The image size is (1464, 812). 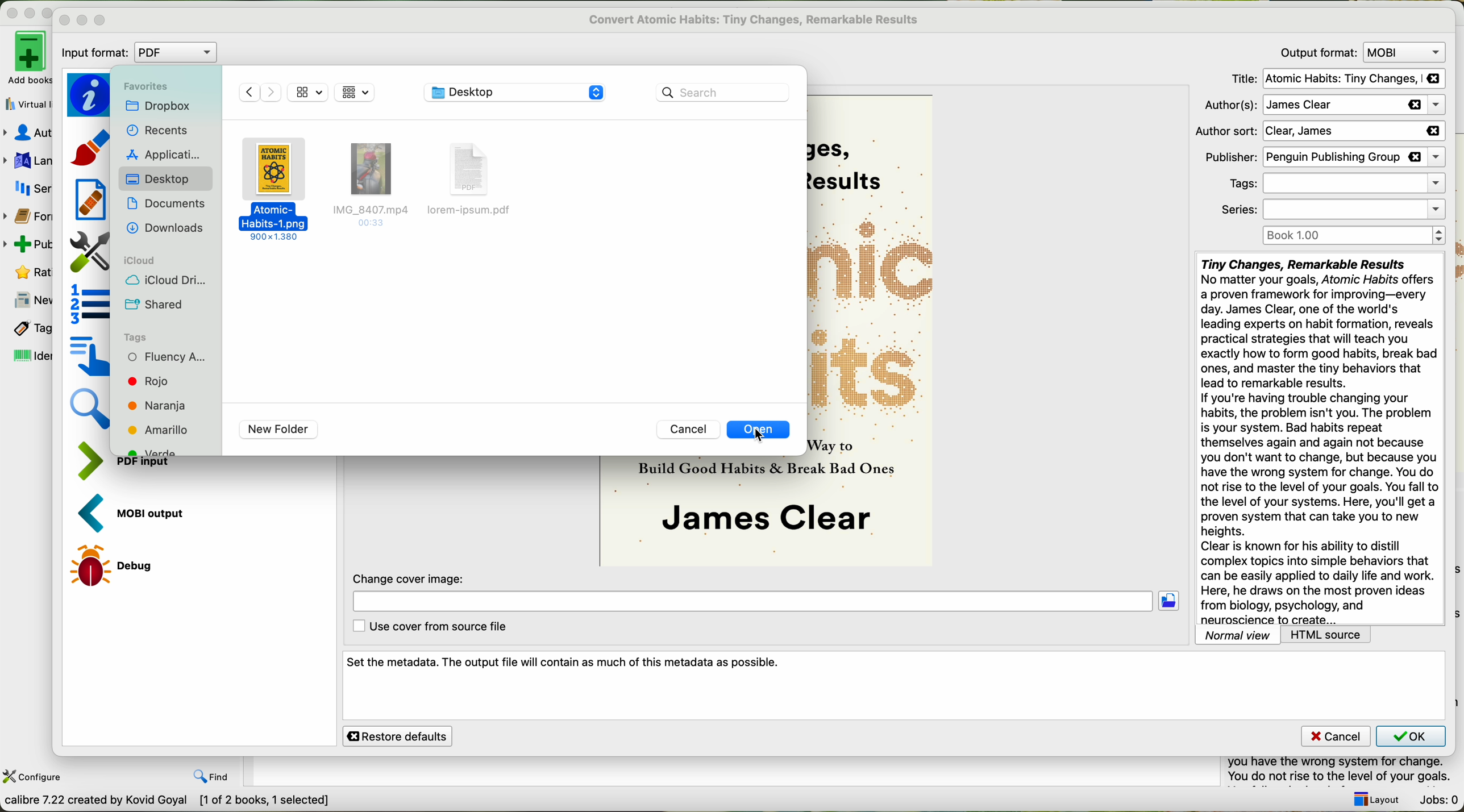 I want to click on look and feel, so click(x=92, y=146).